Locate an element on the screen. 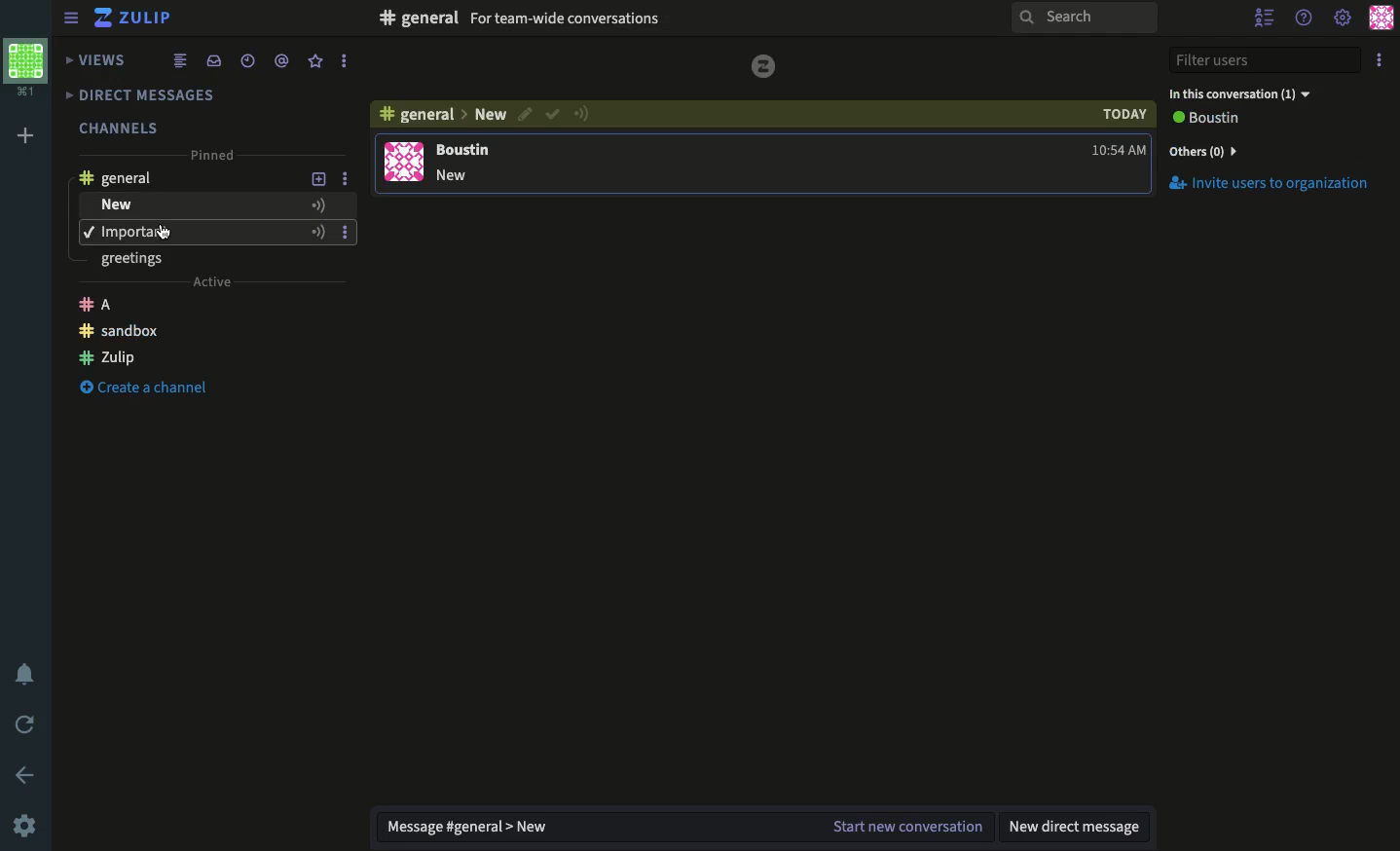 Image resolution: width=1400 pixels, height=851 pixels. Important - topic is located at coordinates (189, 236).